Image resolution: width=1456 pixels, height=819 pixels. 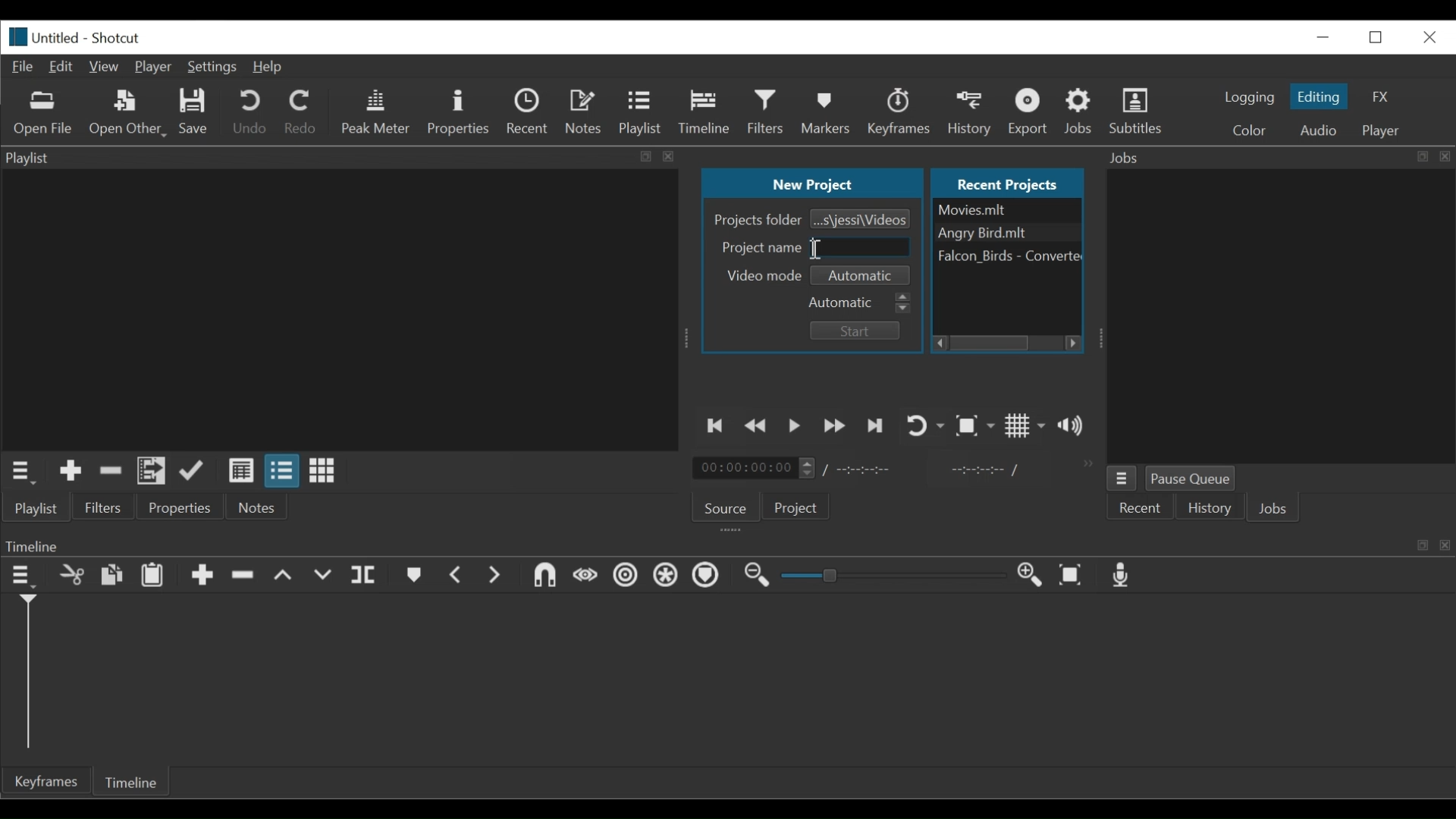 I want to click on Remove Cut, so click(x=111, y=472).